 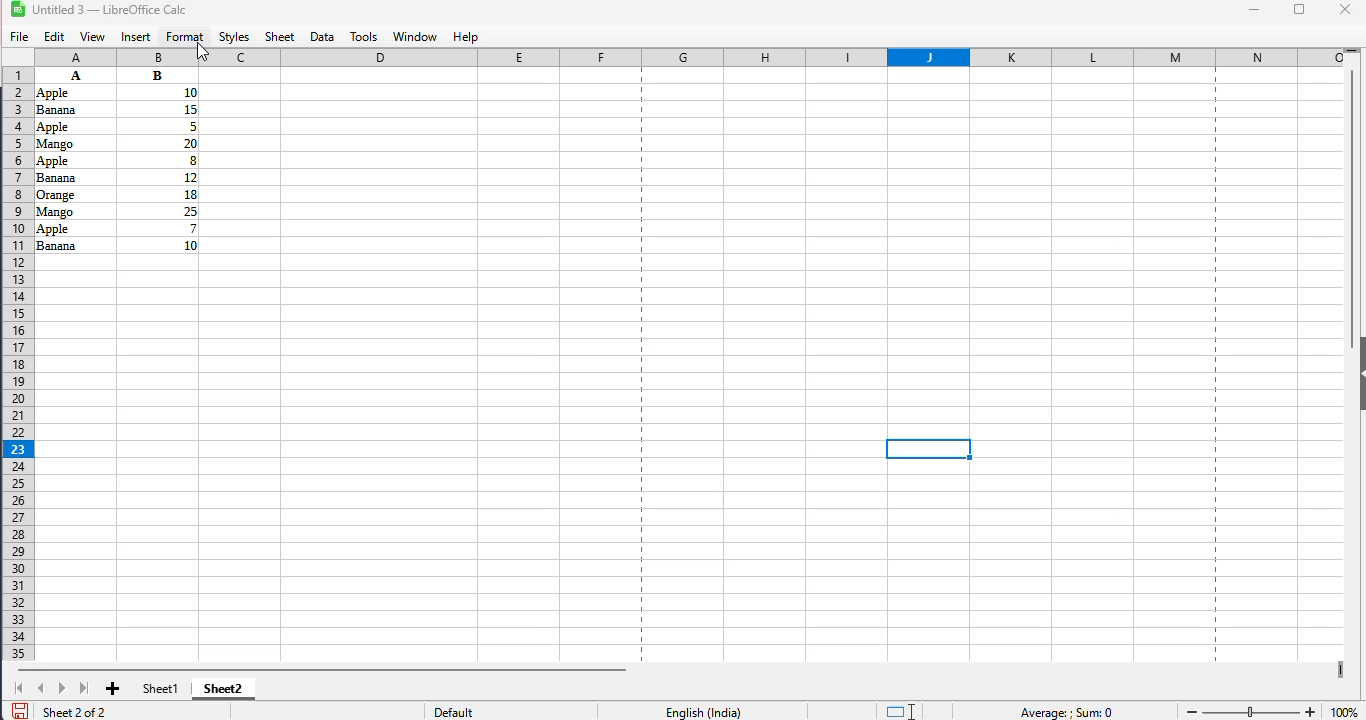 What do you see at coordinates (114, 11) in the screenshot?
I see `Untitled 3 -- (LibreOffice Calc)` at bounding box center [114, 11].